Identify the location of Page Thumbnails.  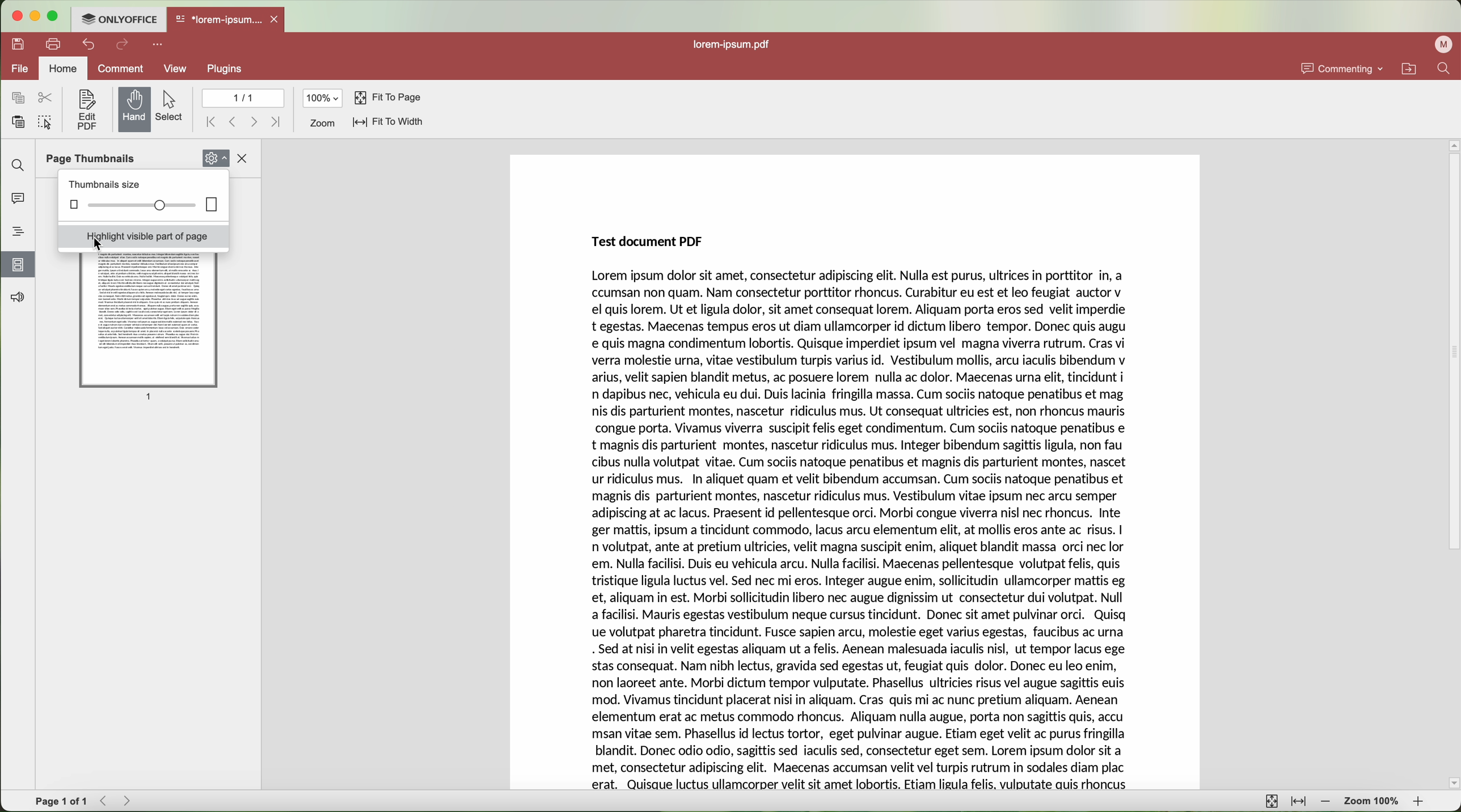
(94, 159).